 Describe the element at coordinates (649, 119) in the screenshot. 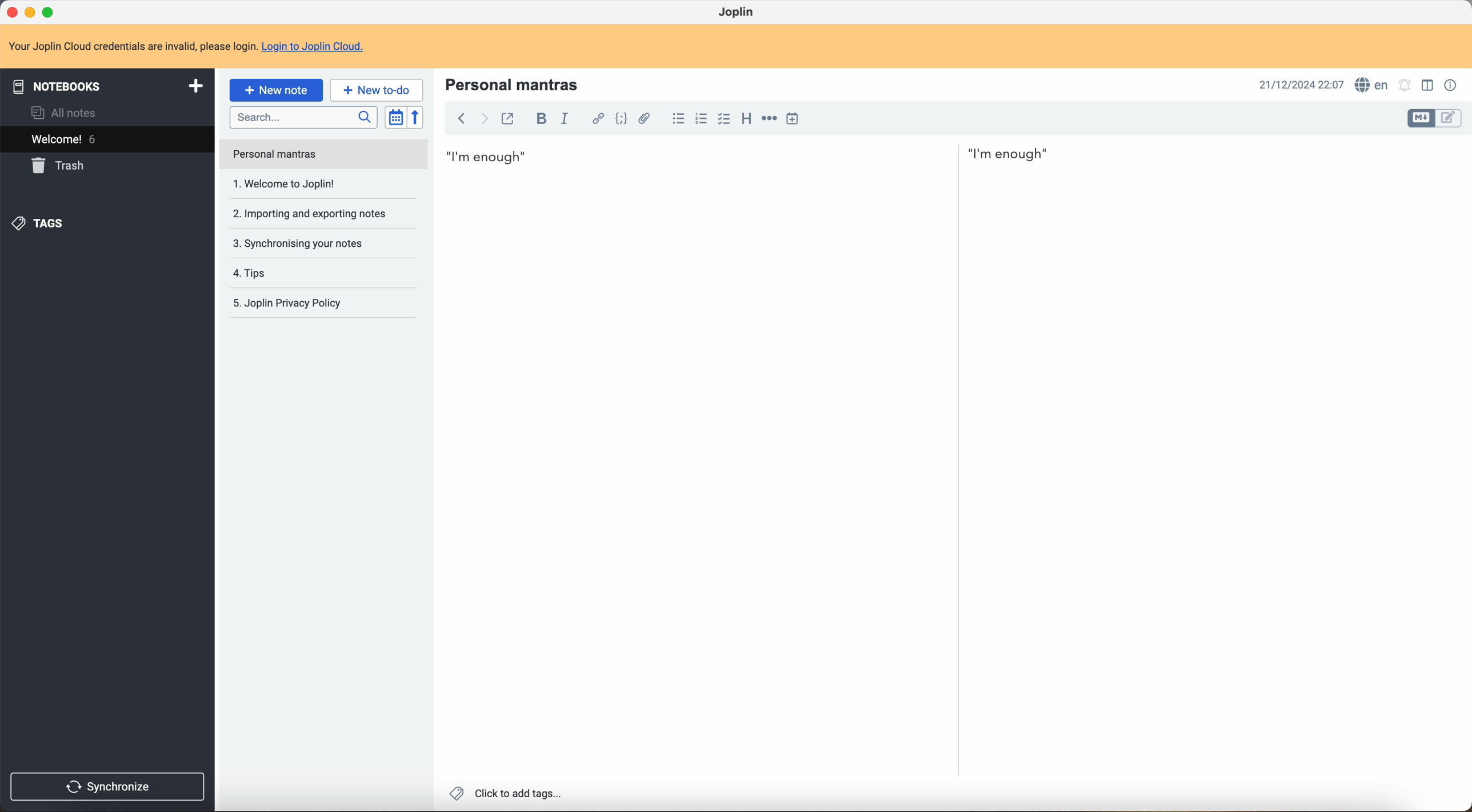

I see `attach file` at that location.